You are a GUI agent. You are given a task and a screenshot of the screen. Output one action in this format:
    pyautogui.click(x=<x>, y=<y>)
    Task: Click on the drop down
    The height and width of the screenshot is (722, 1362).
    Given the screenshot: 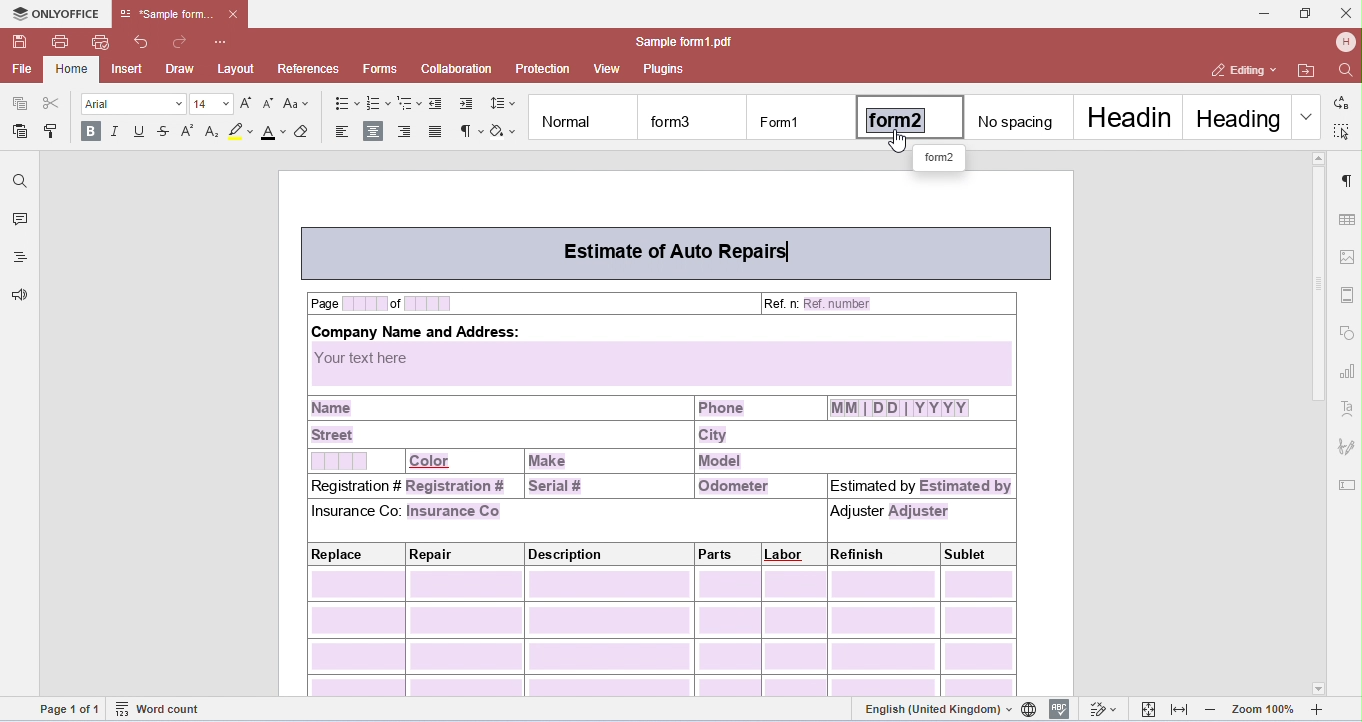 What is the action you would take?
    pyautogui.click(x=1306, y=116)
    